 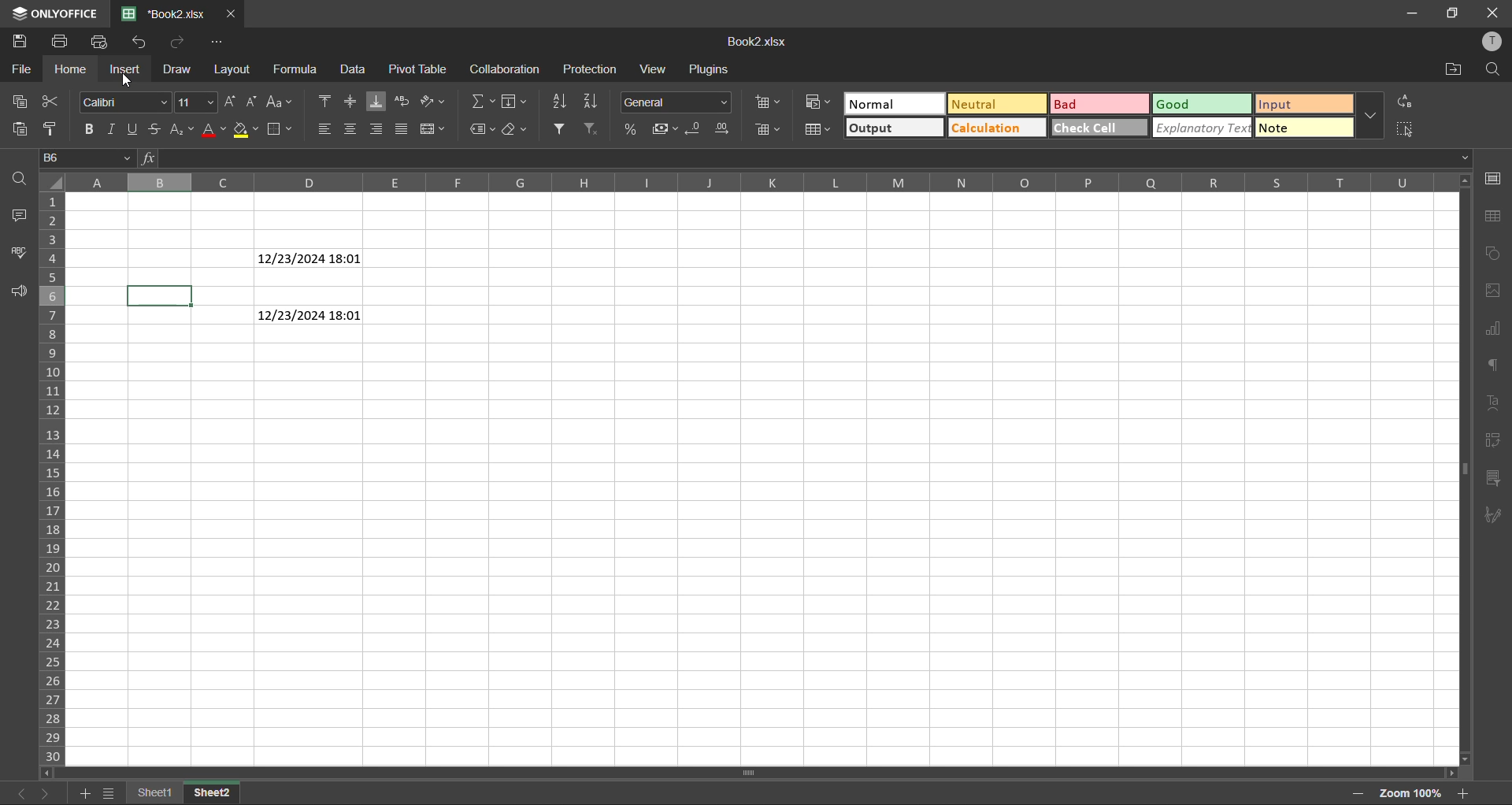 I want to click on fill color, so click(x=245, y=130).